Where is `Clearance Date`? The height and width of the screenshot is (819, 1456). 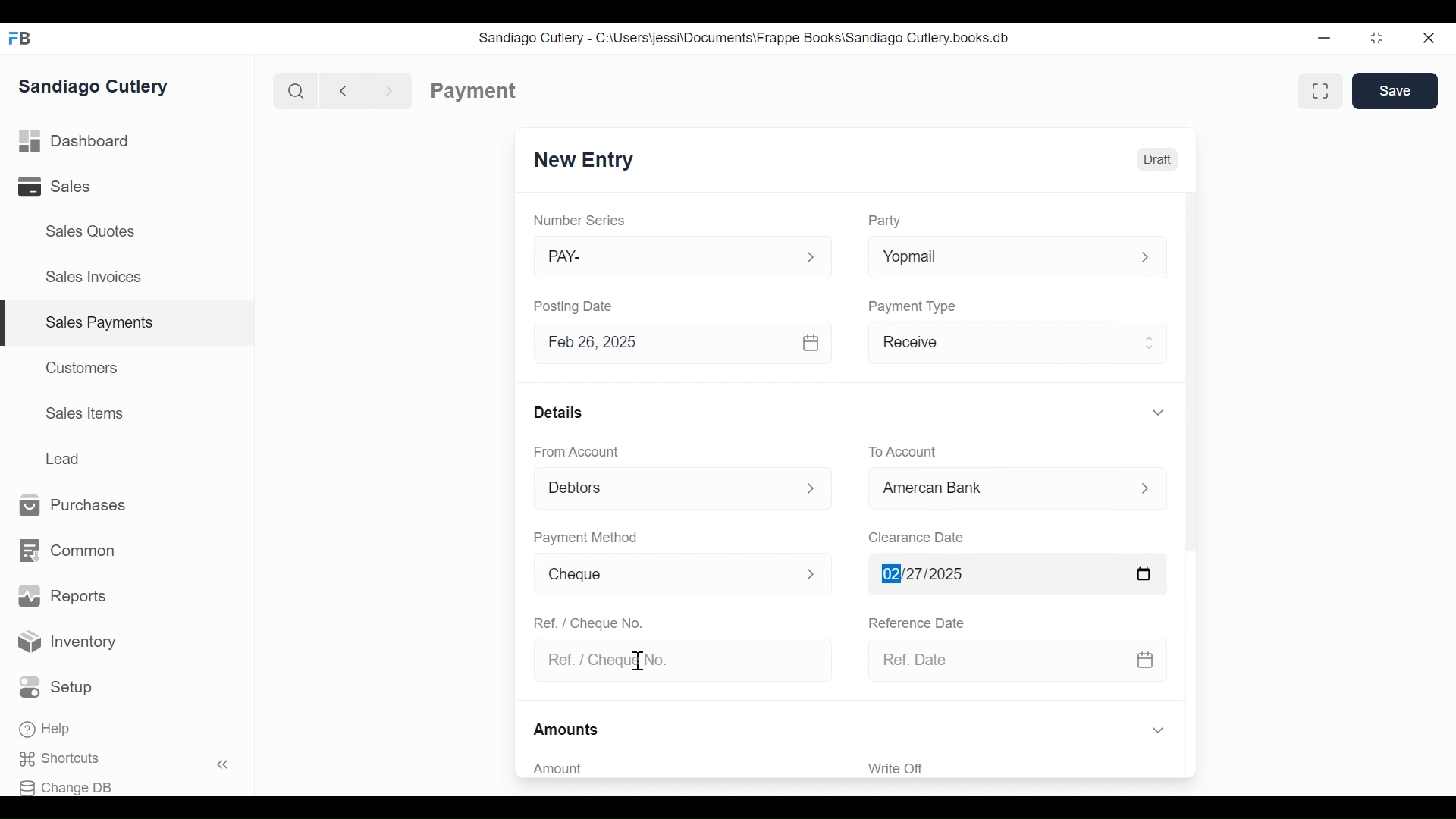
Clearance Date is located at coordinates (917, 538).